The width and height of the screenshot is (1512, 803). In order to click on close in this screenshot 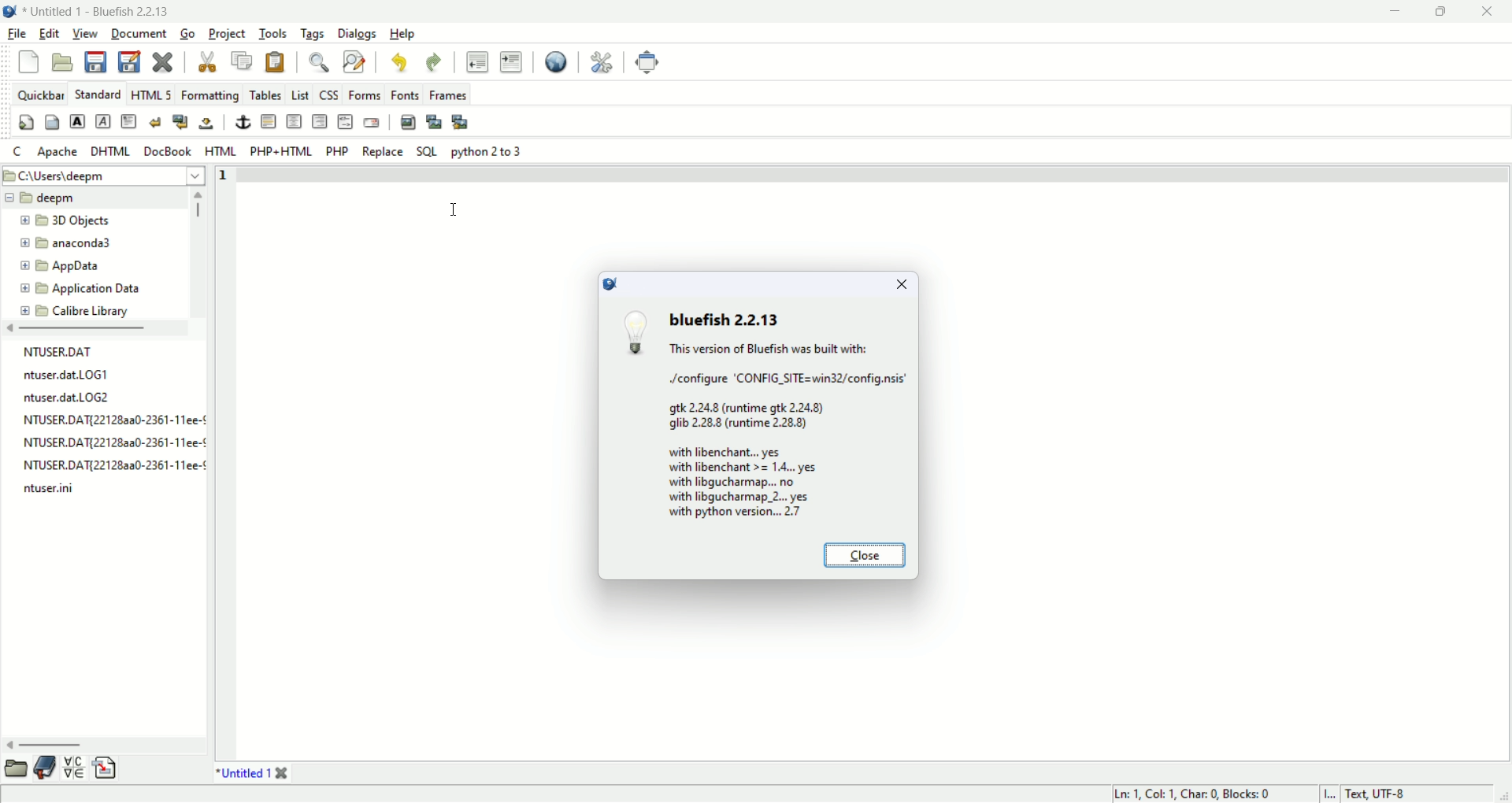, I will do `click(1492, 12)`.